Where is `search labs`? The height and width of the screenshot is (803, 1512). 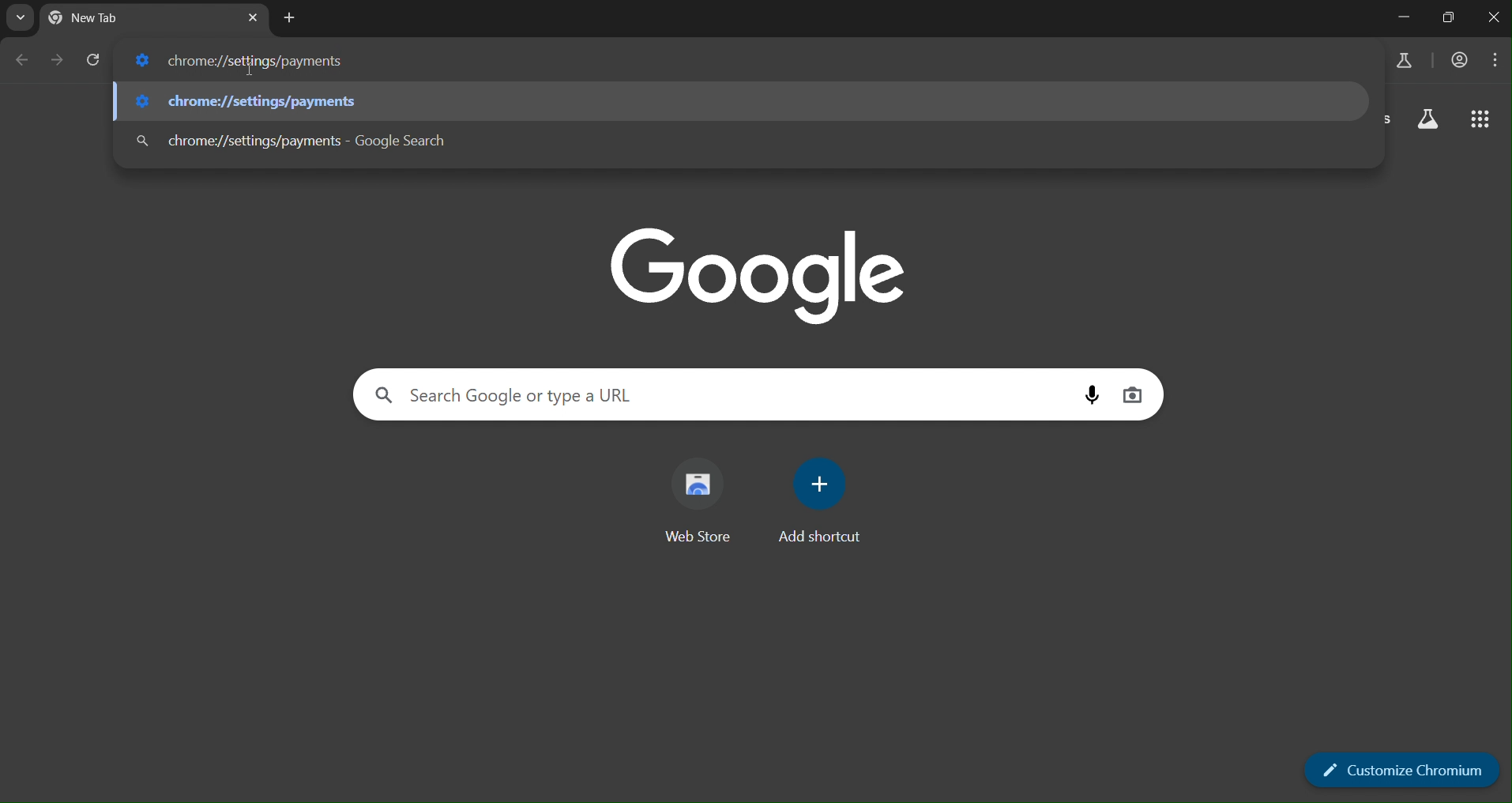
search labs is located at coordinates (1427, 118).